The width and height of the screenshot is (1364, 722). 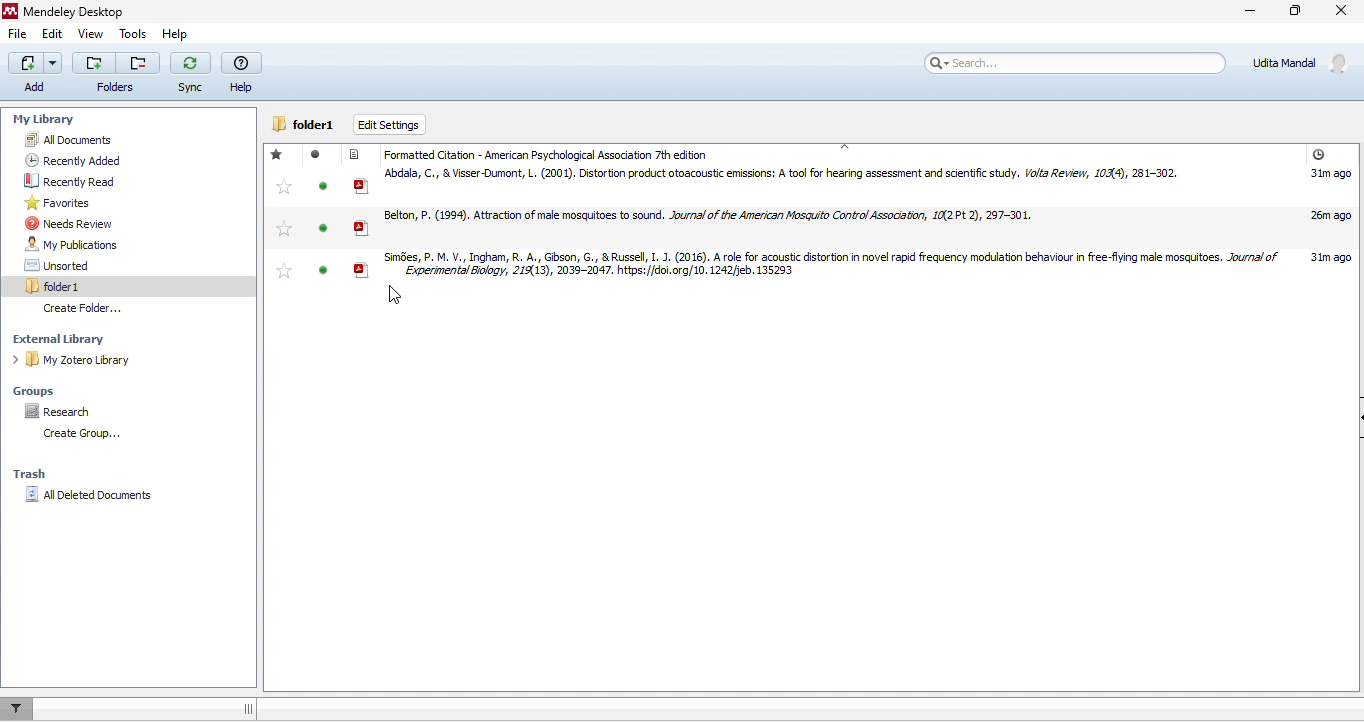 I want to click on added time, so click(x=1318, y=154).